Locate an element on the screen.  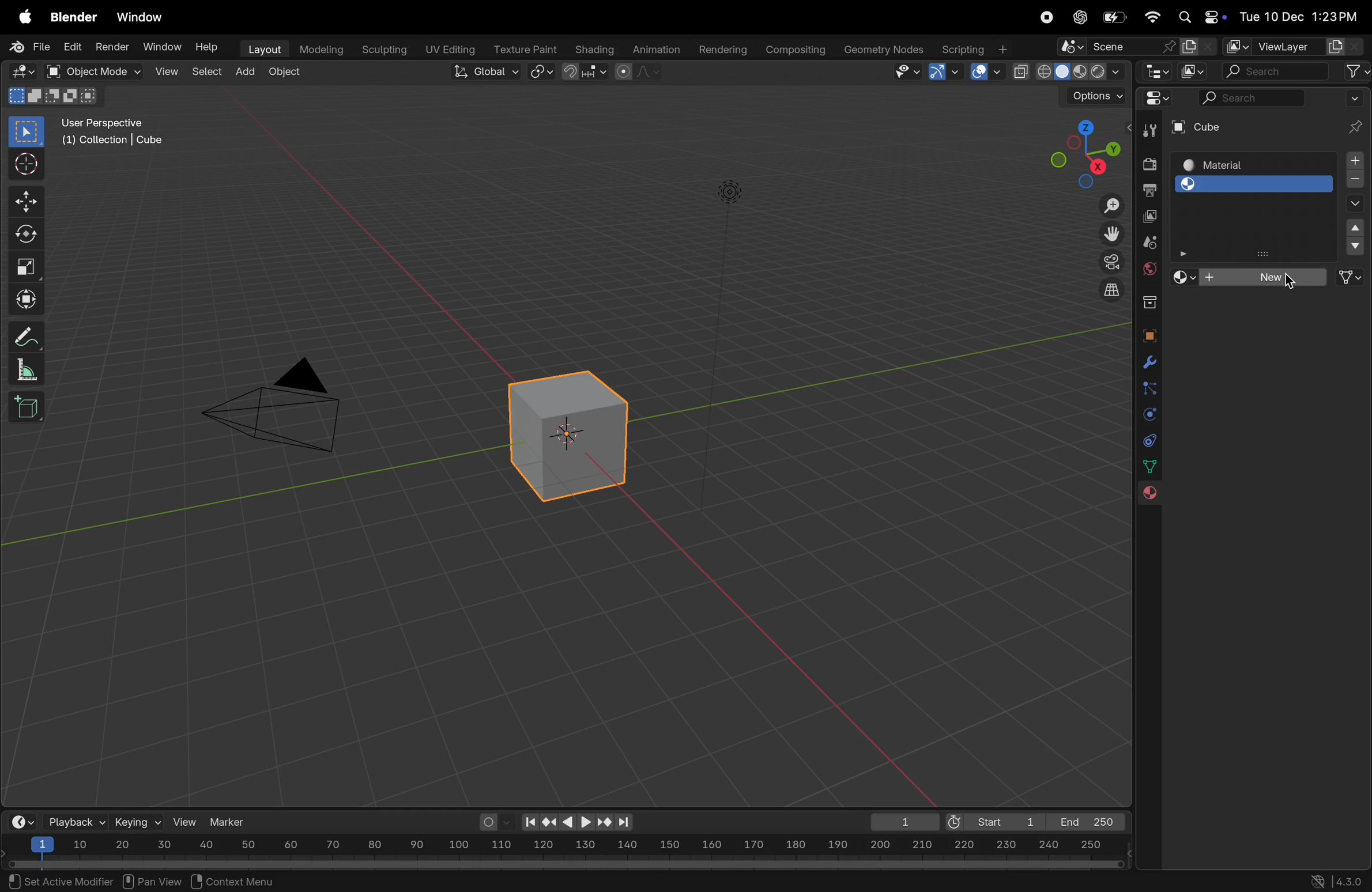
1 is located at coordinates (900, 822).